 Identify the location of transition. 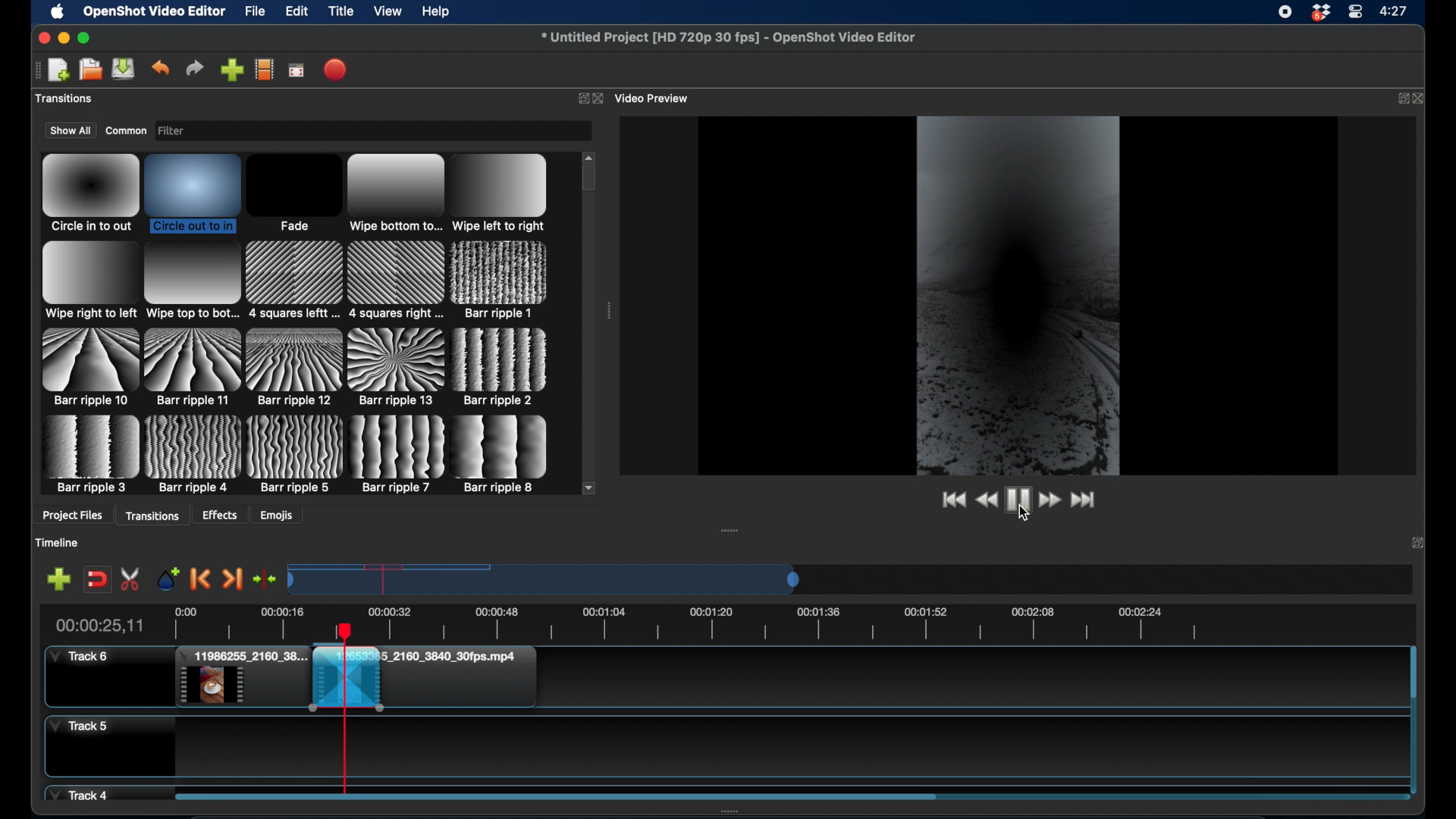
(89, 281).